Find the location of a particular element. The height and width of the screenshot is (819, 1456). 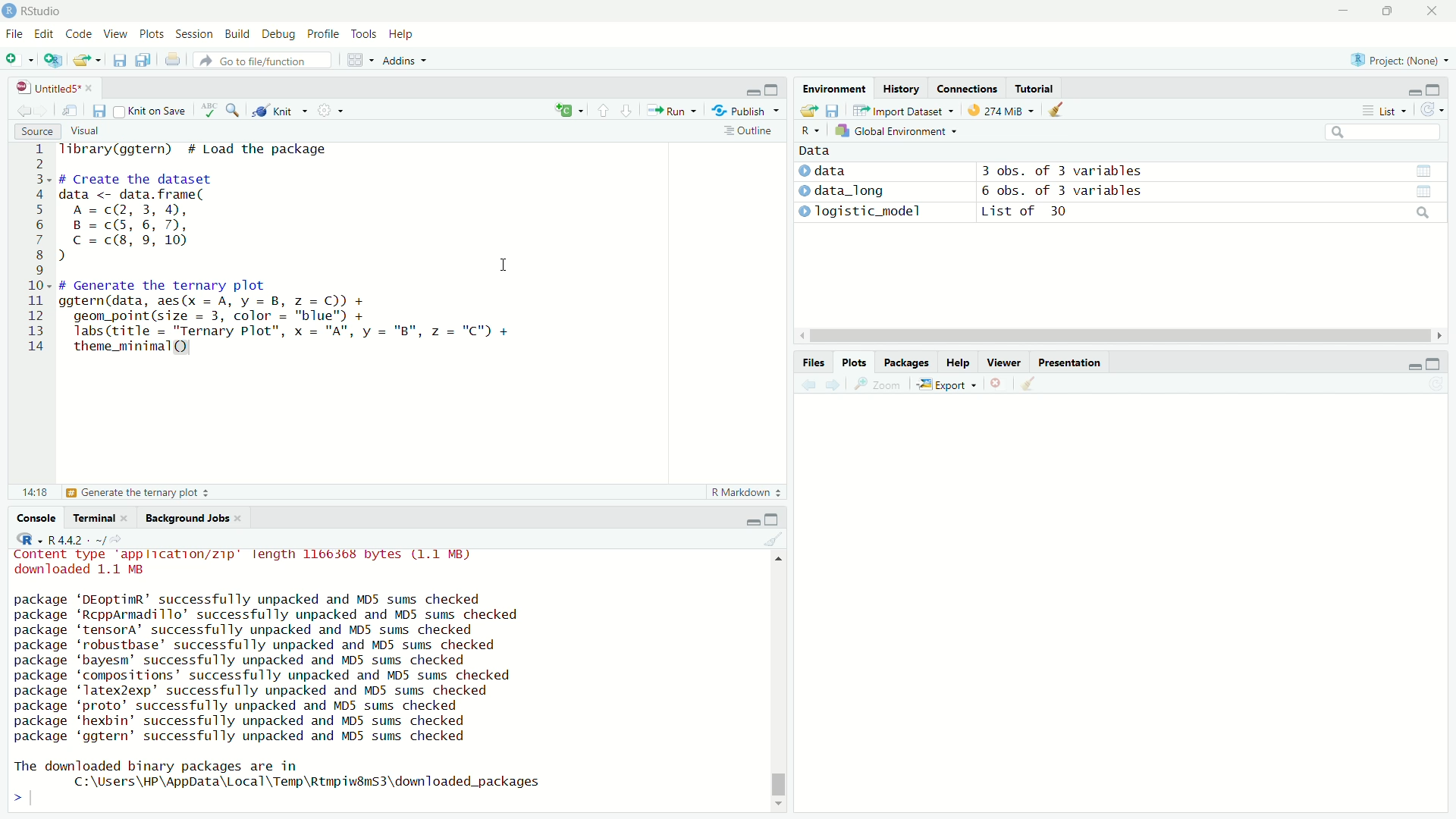

| Export is located at coordinates (943, 385).